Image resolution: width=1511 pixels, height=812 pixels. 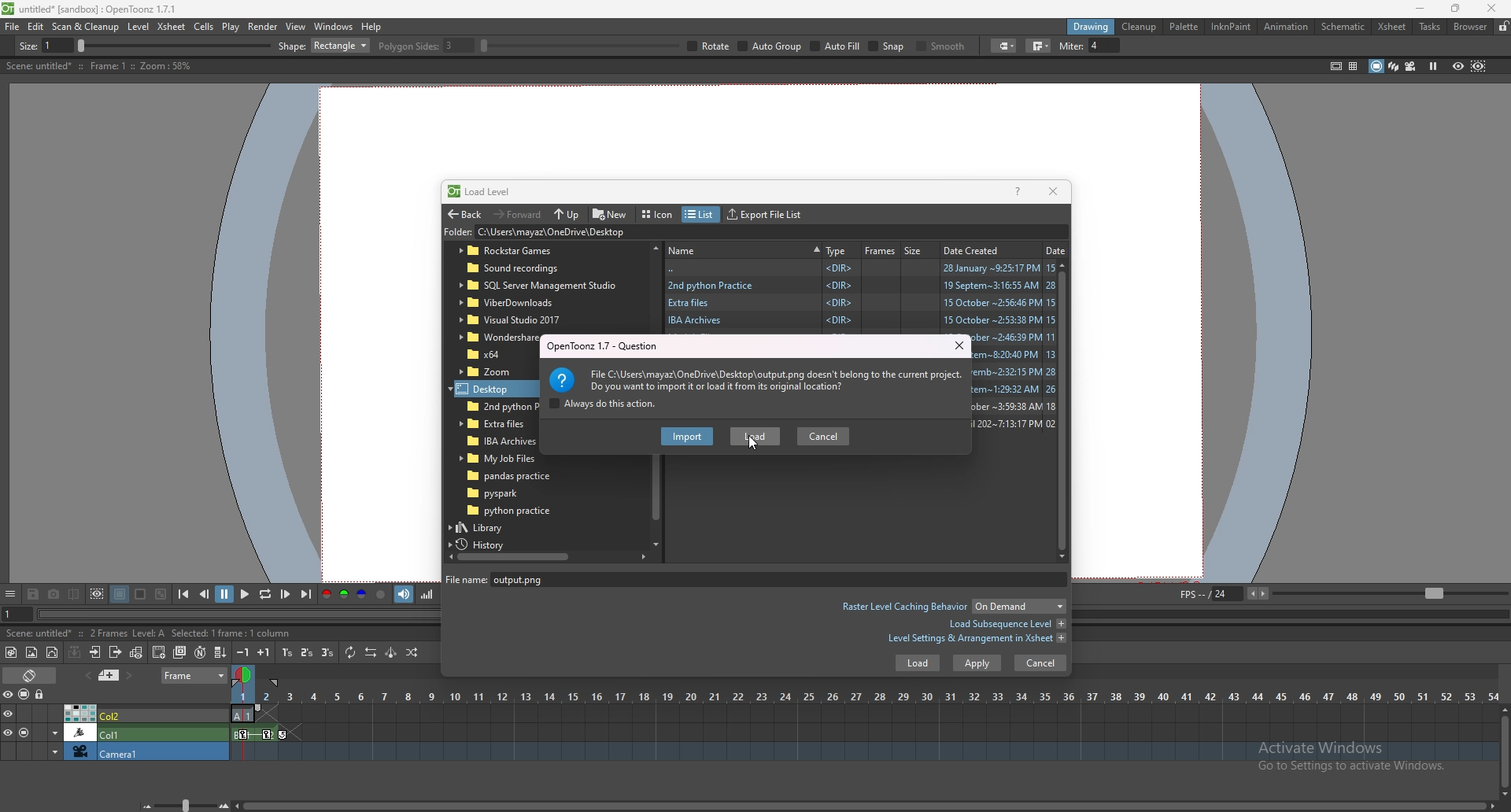 I want to click on date, so click(x=1056, y=249).